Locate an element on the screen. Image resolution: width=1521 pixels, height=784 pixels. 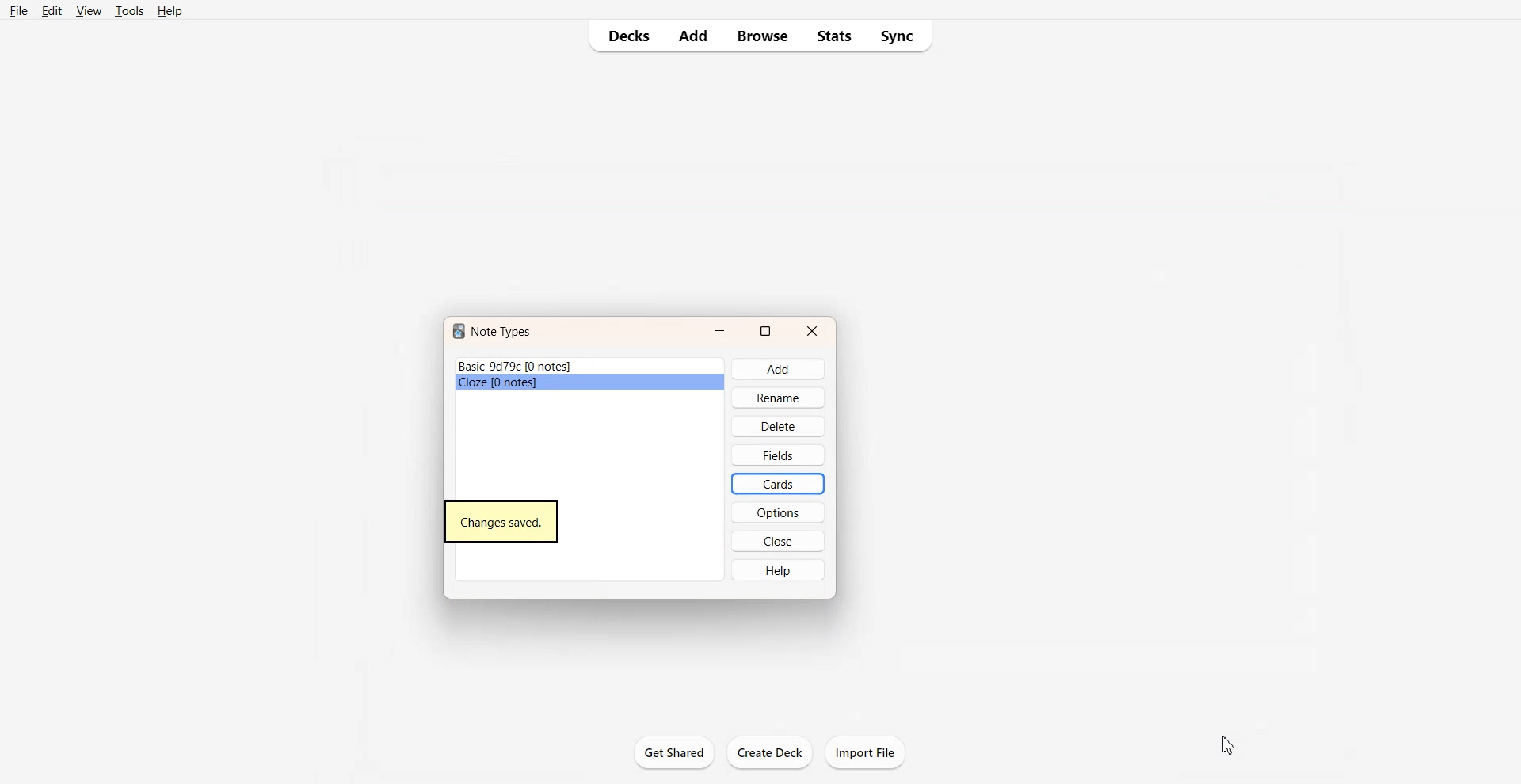
Cursor is located at coordinates (1229, 744).